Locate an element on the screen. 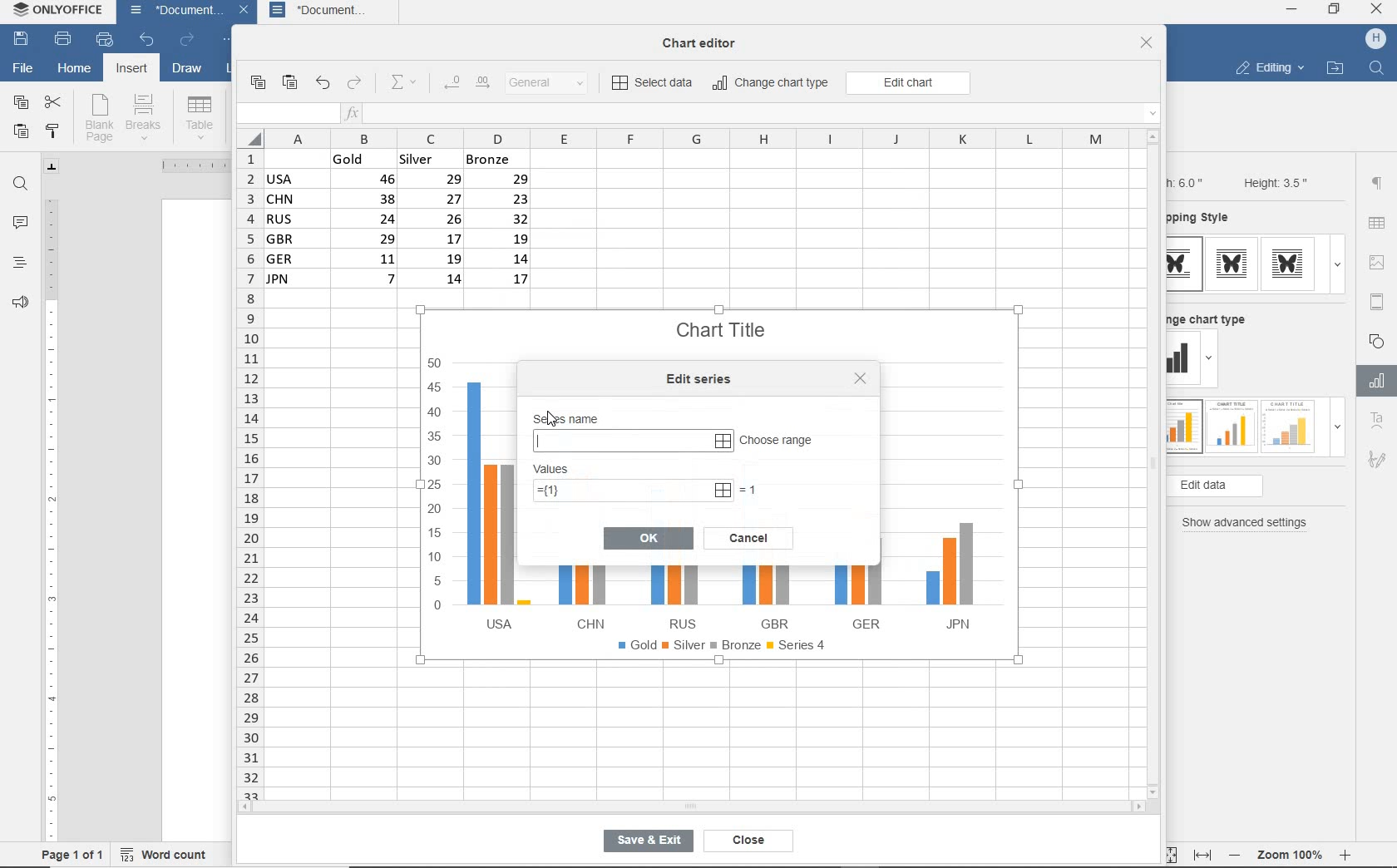 Image resolution: width=1397 pixels, height=868 pixels. paste is located at coordinates (21, 133).